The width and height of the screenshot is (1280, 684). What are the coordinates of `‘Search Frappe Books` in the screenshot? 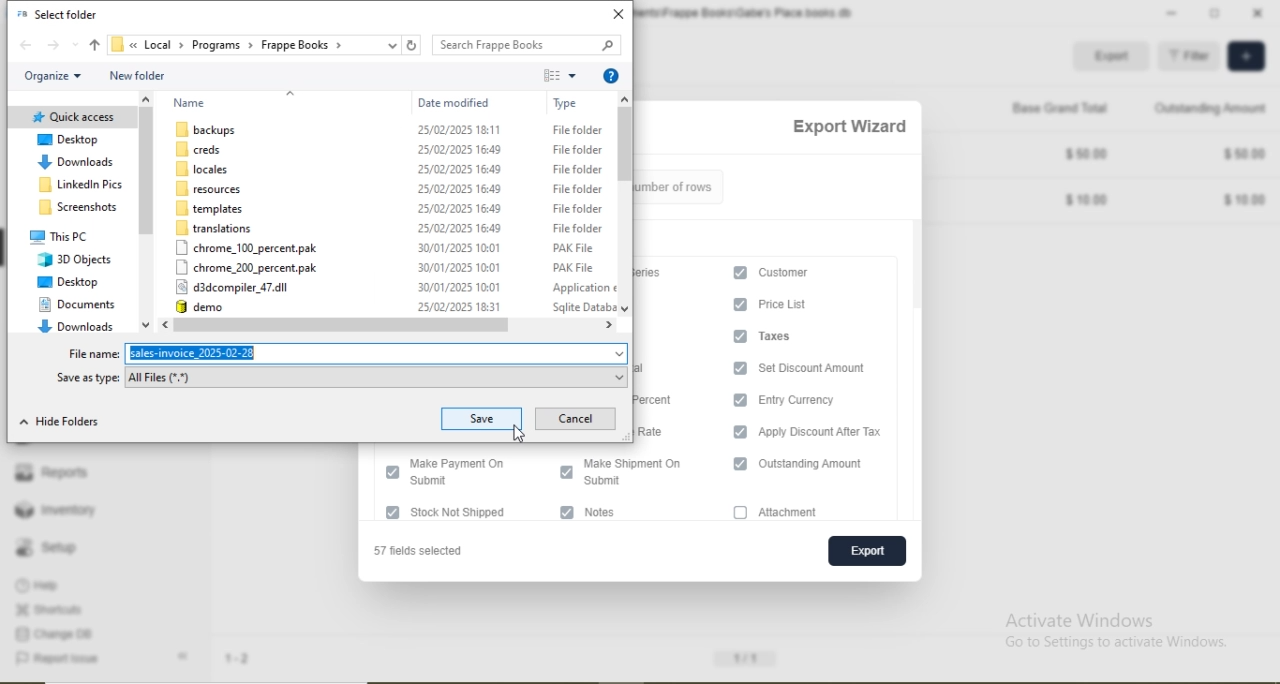 It's located at (499, 45).